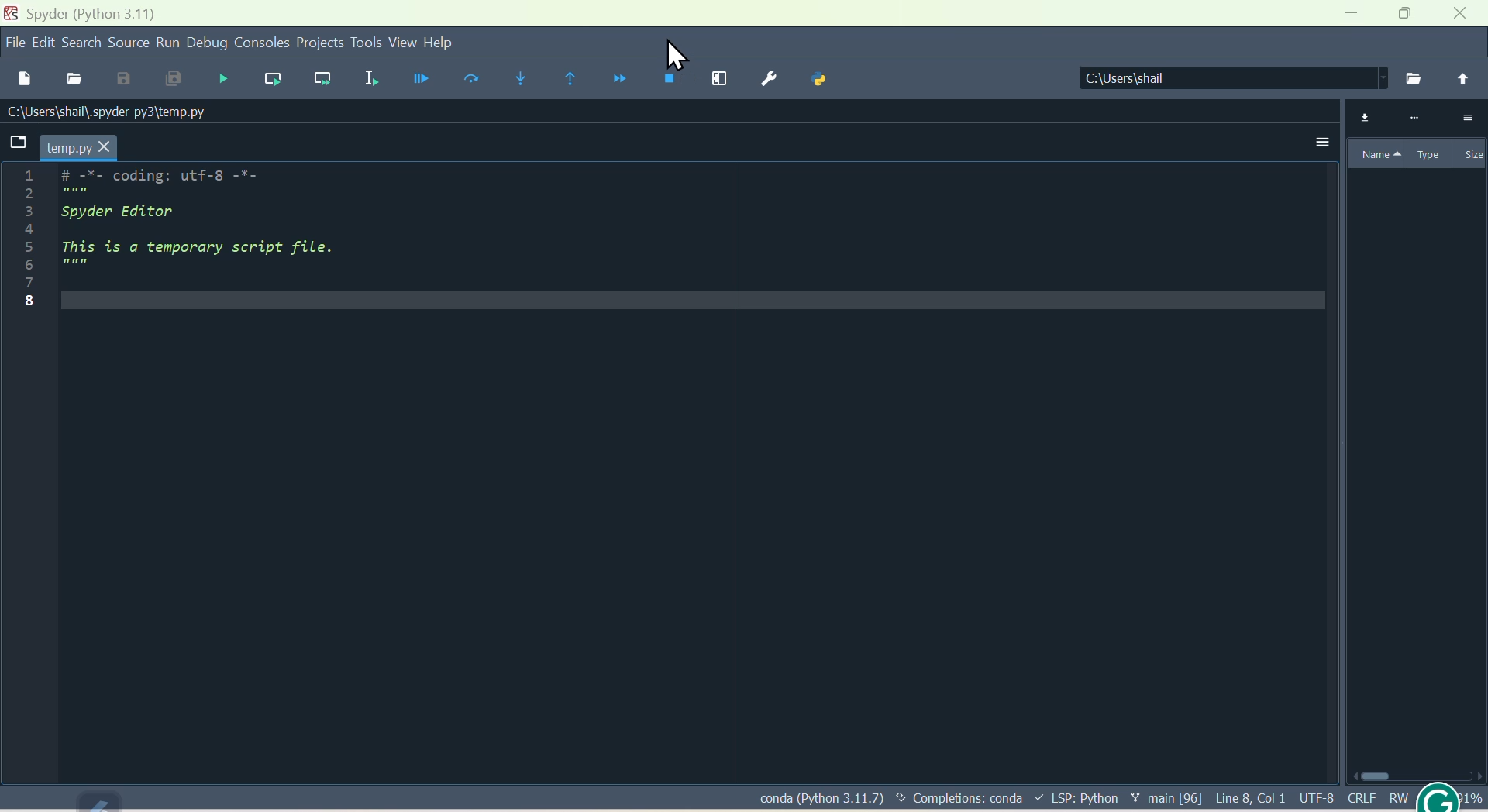 The width and height of the screenshot is (1488, 812). Describe the element at coordinates (1415, 78) in the screenshot. I see `Search from pc` at that location.